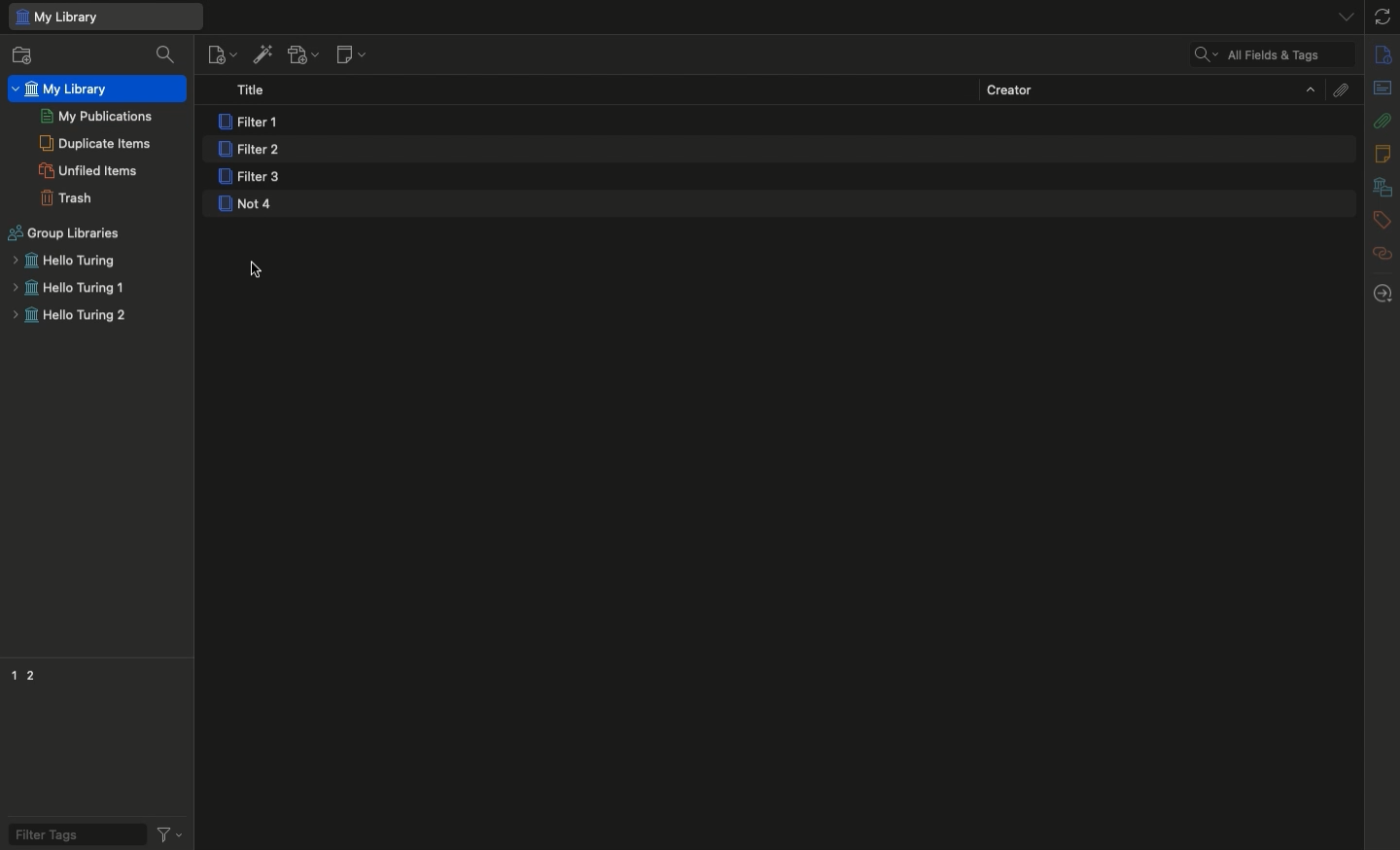 The image size is (1400, 850). I want to click on Trash, so click(67, 197).